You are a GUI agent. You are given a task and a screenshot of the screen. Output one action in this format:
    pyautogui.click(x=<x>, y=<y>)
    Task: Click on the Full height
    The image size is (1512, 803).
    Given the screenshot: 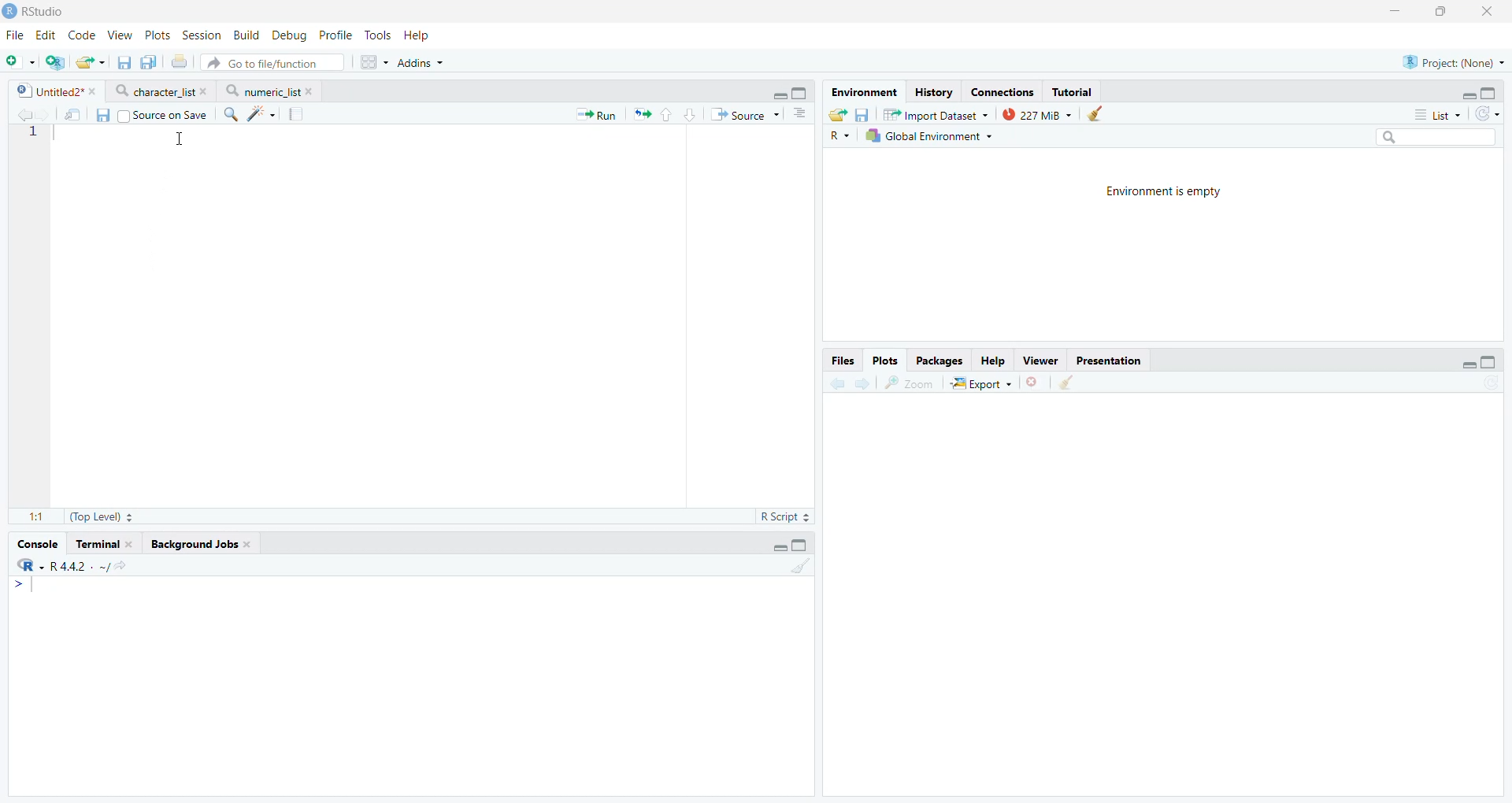 What is the action you would take?
    pyautogui.click(x=1490, y=361)
    